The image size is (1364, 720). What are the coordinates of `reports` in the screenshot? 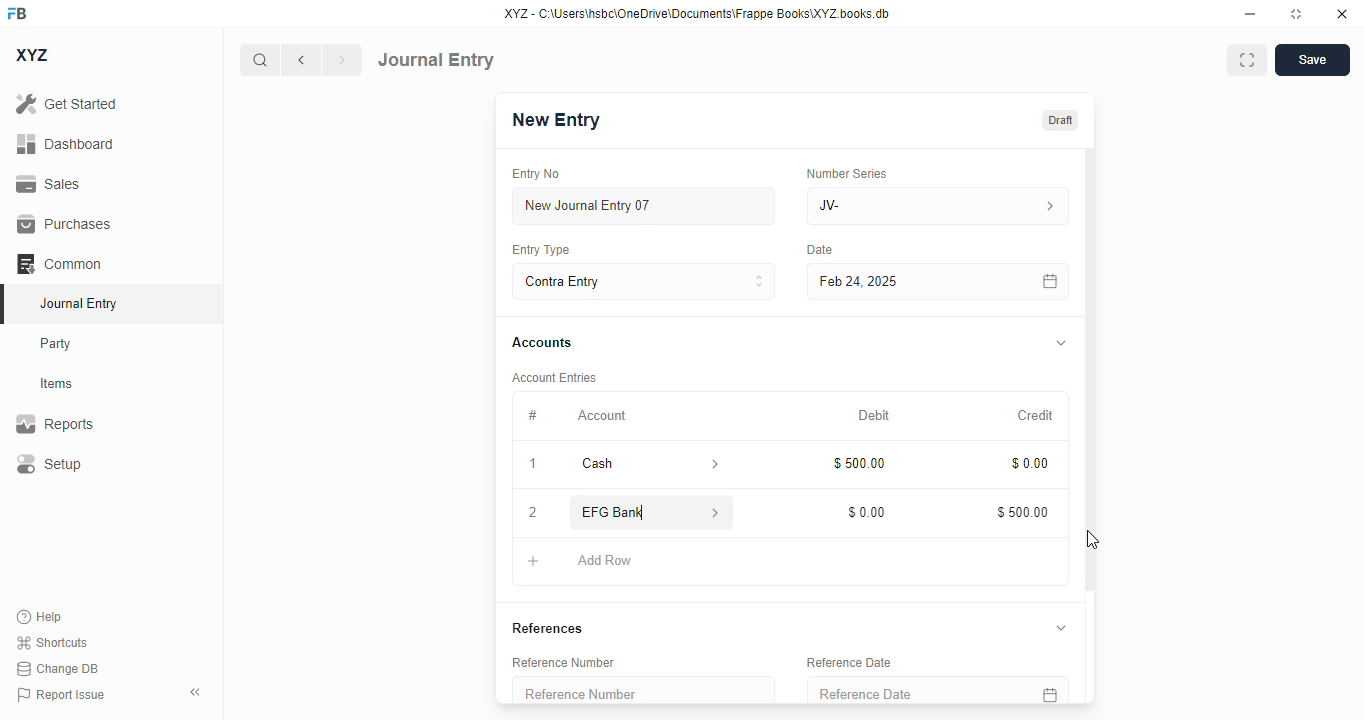 It's located at (55, 423).